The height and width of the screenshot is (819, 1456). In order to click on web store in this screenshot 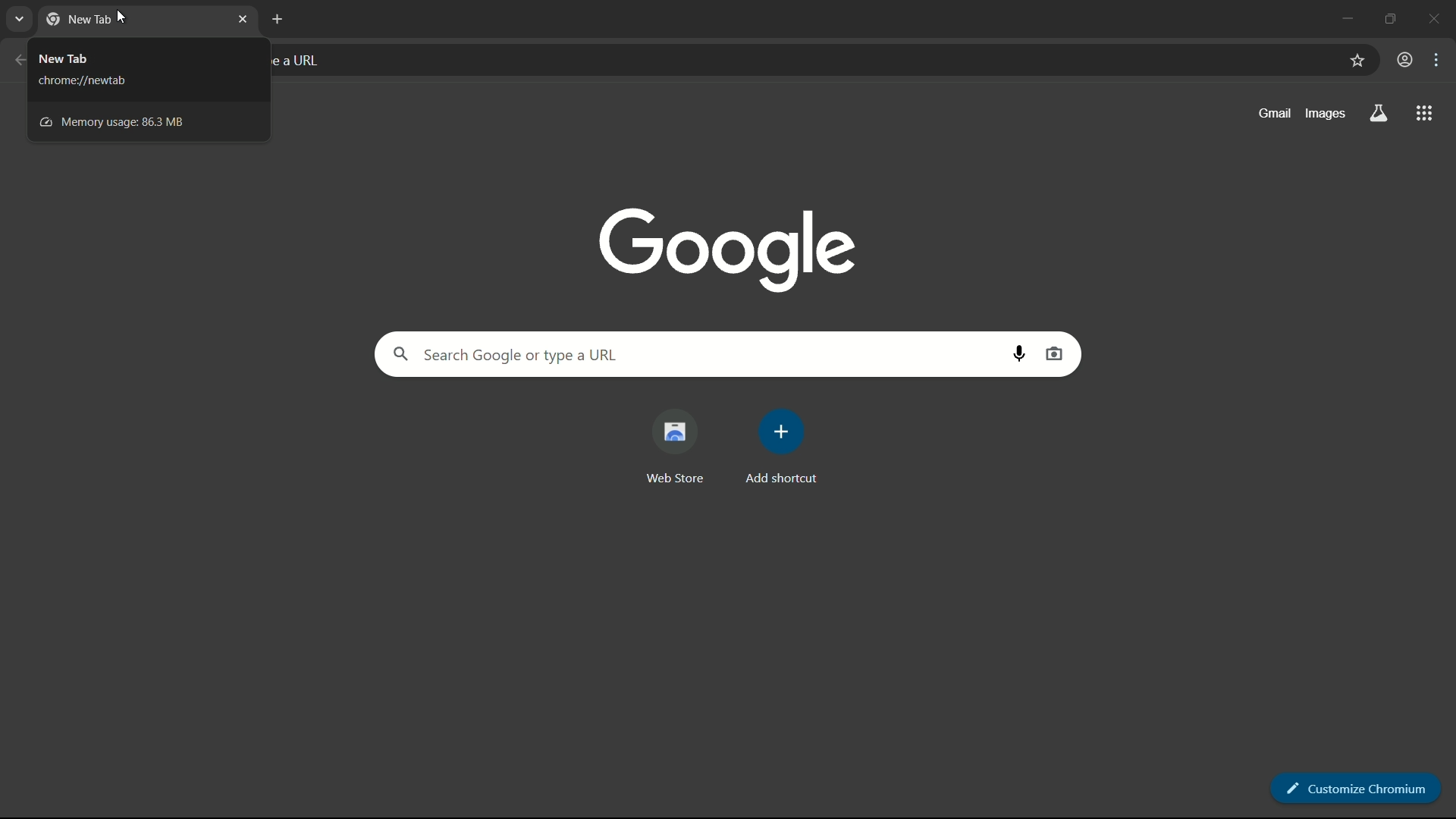, I will do `click(673, 447)`.